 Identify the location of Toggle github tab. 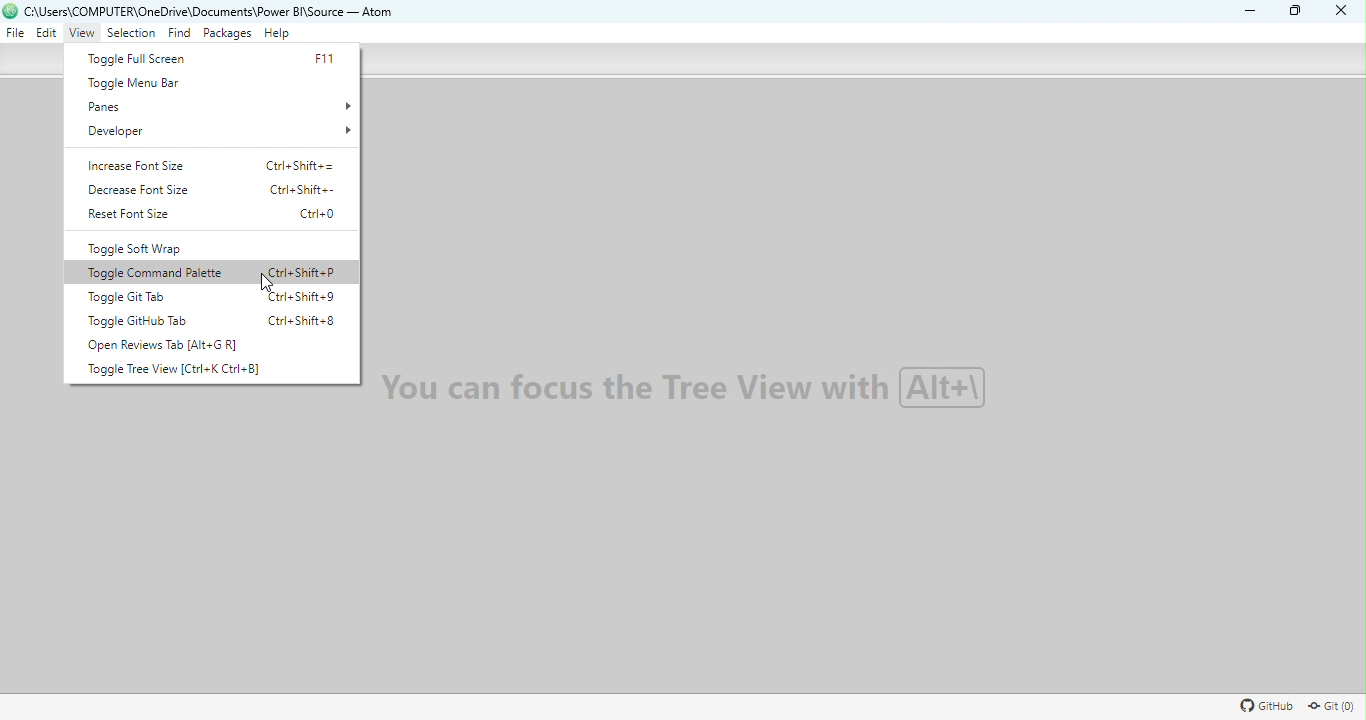
(216, 318).